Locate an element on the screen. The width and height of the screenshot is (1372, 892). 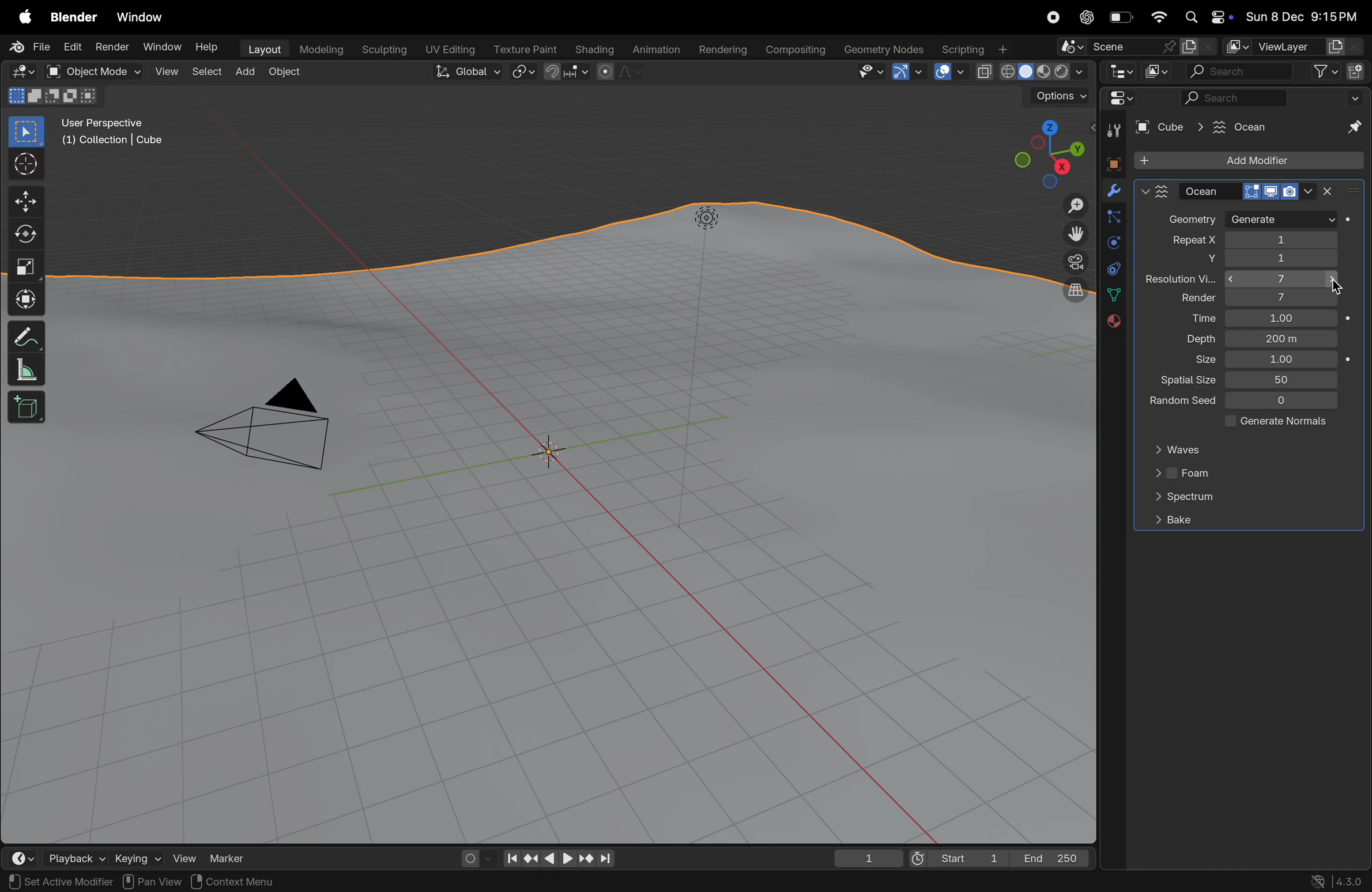
apple widgets is located at coordinates (1205, 18).